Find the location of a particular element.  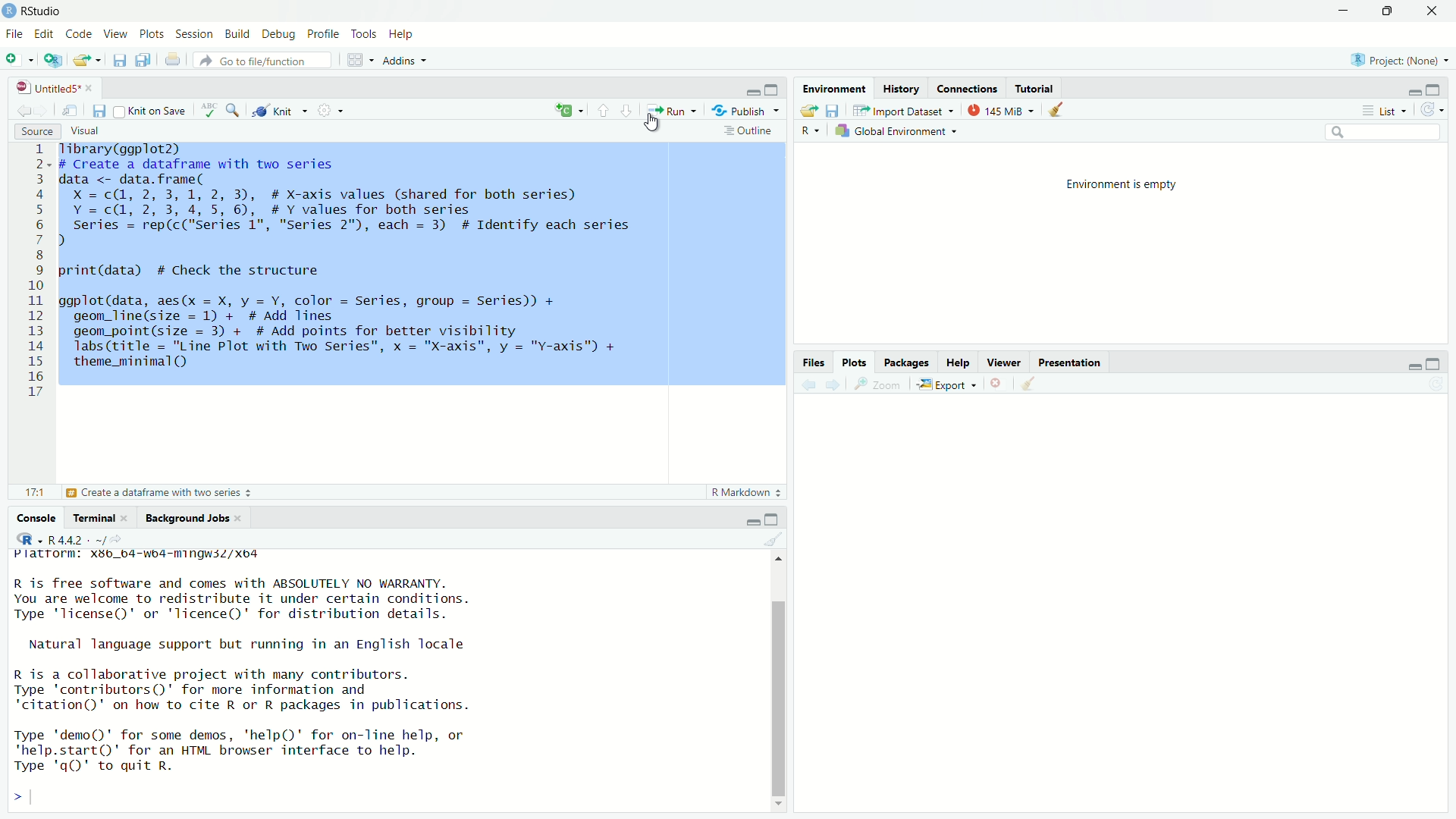

minimize is located at coordinates (752, 519).